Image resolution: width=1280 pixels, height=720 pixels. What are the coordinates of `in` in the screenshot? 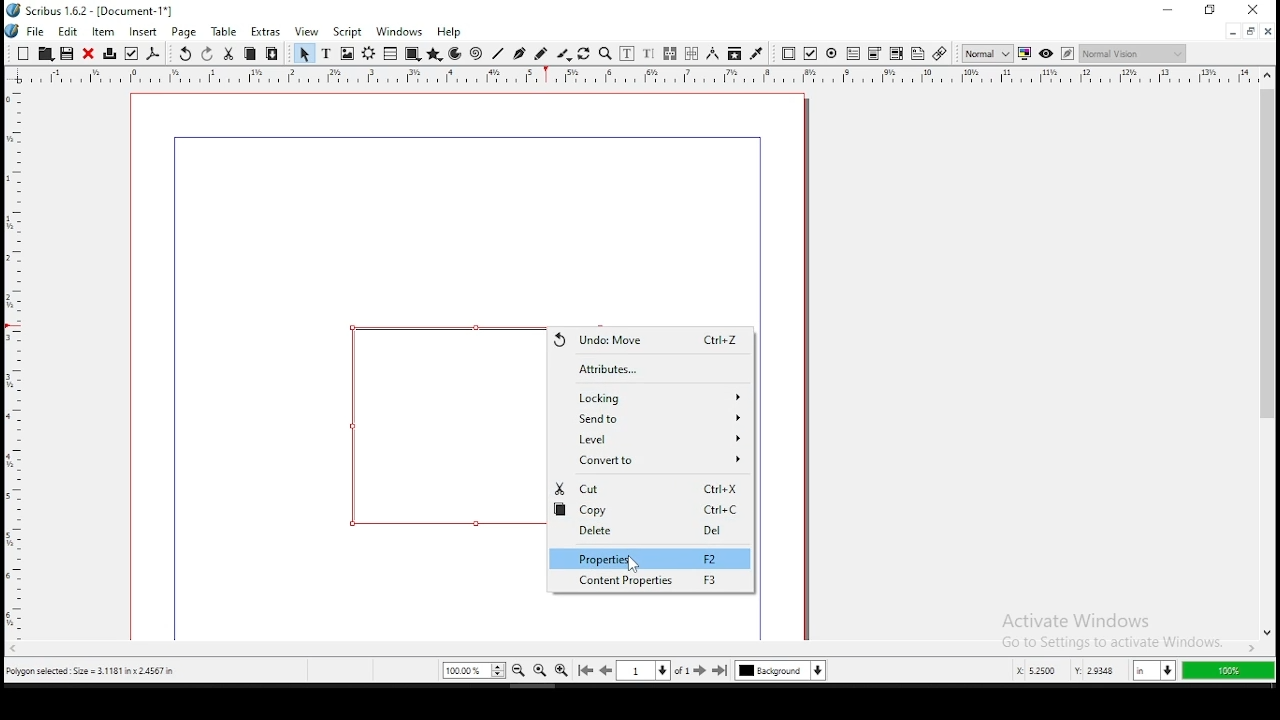 It's located at (1151, 671).